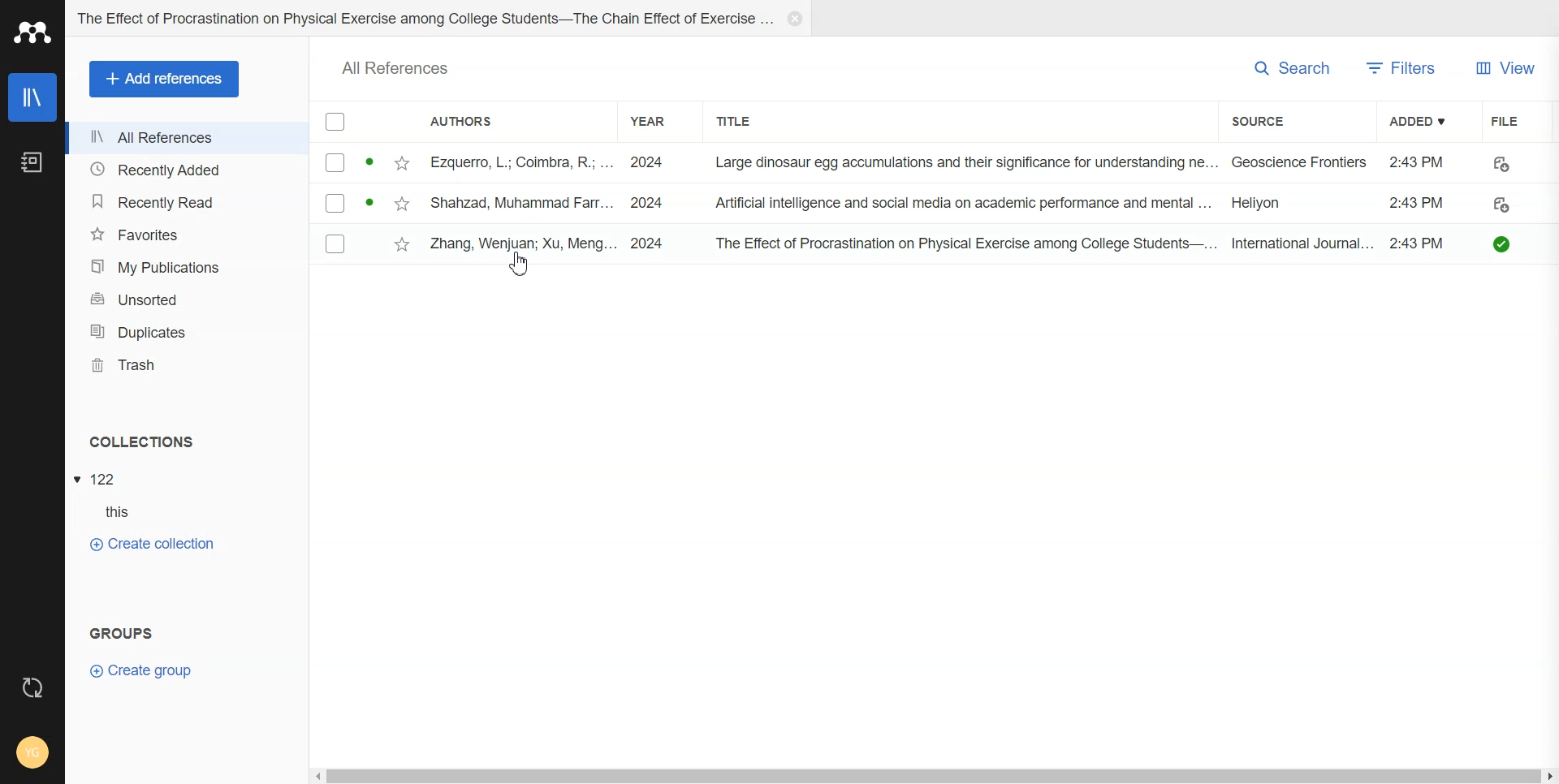 This screenshot has height=784, width=1559. I want to click on Trash, so click(192, 365).